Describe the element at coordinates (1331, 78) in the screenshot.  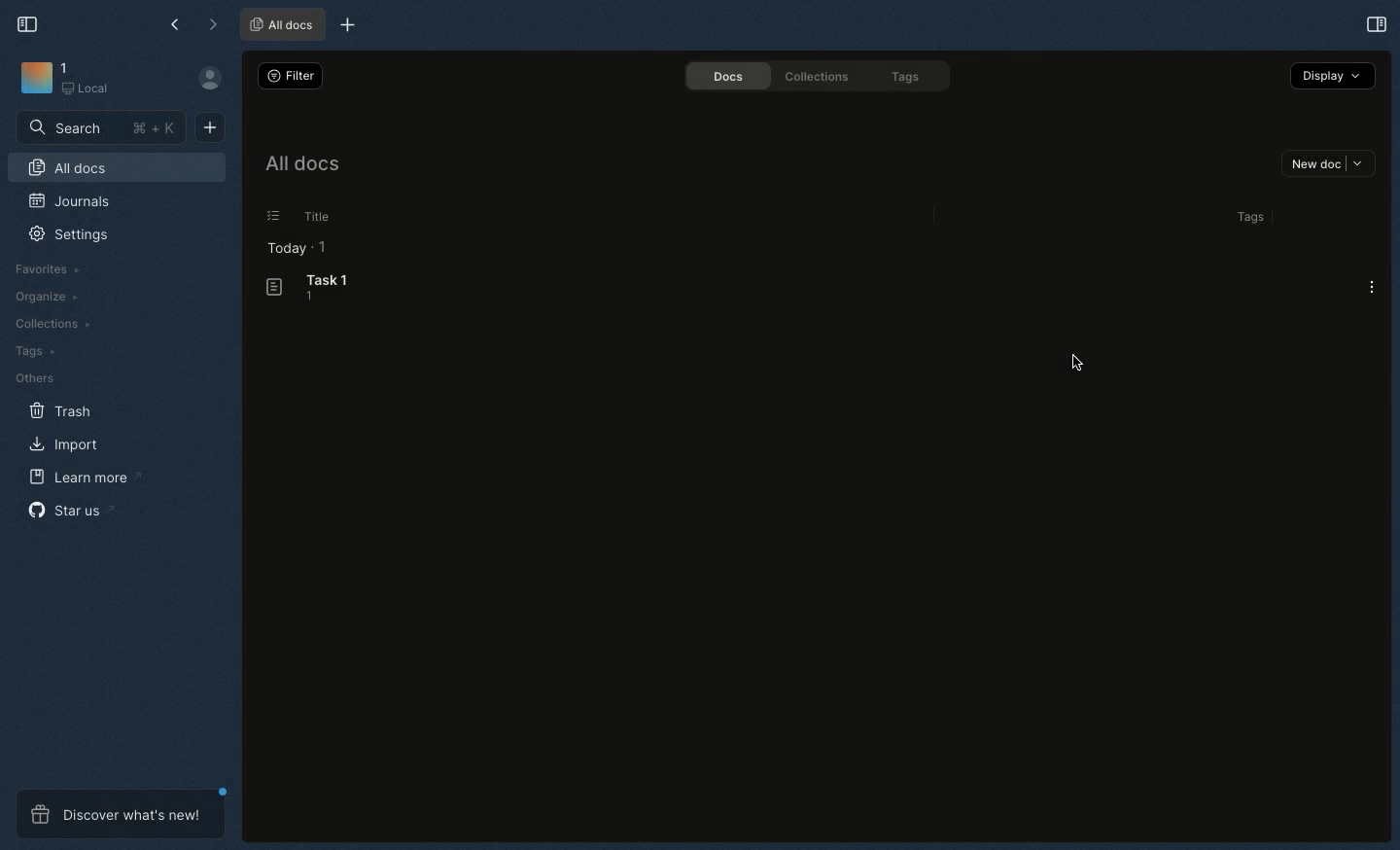
I see `Display +` at that location.